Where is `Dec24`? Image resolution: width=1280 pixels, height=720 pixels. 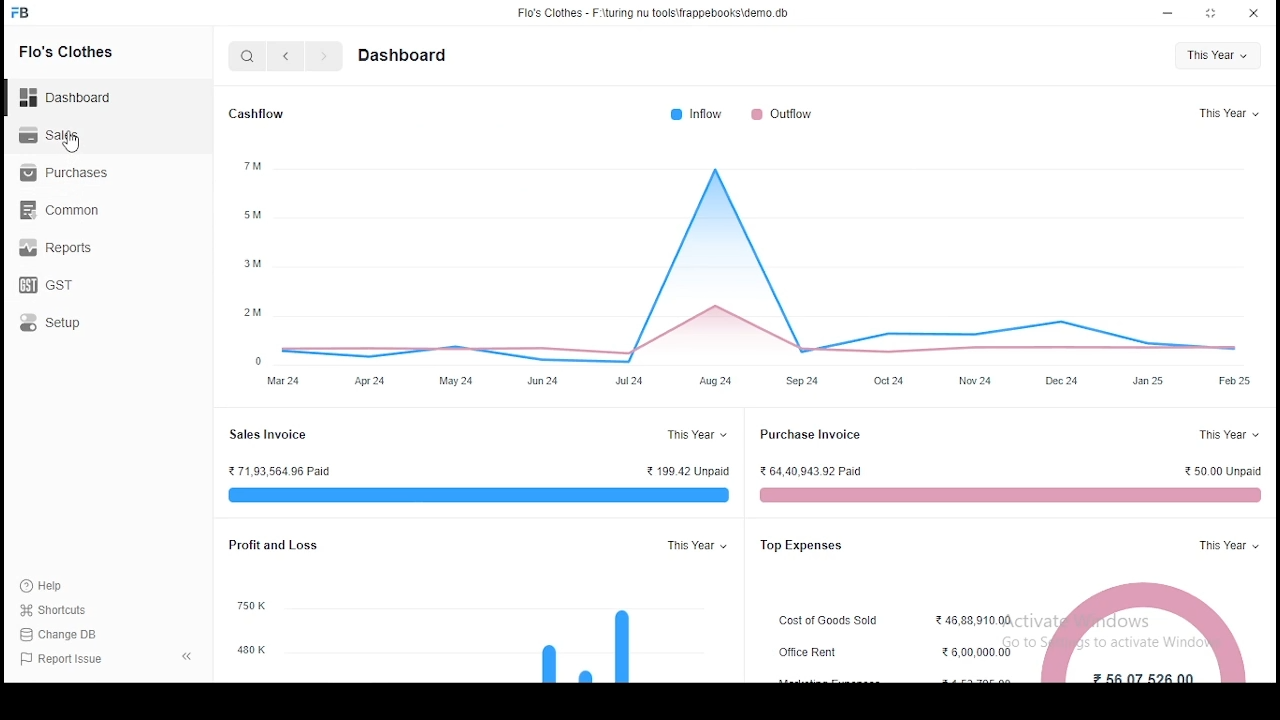 Dec24 is located at coordinates (1062, 381).